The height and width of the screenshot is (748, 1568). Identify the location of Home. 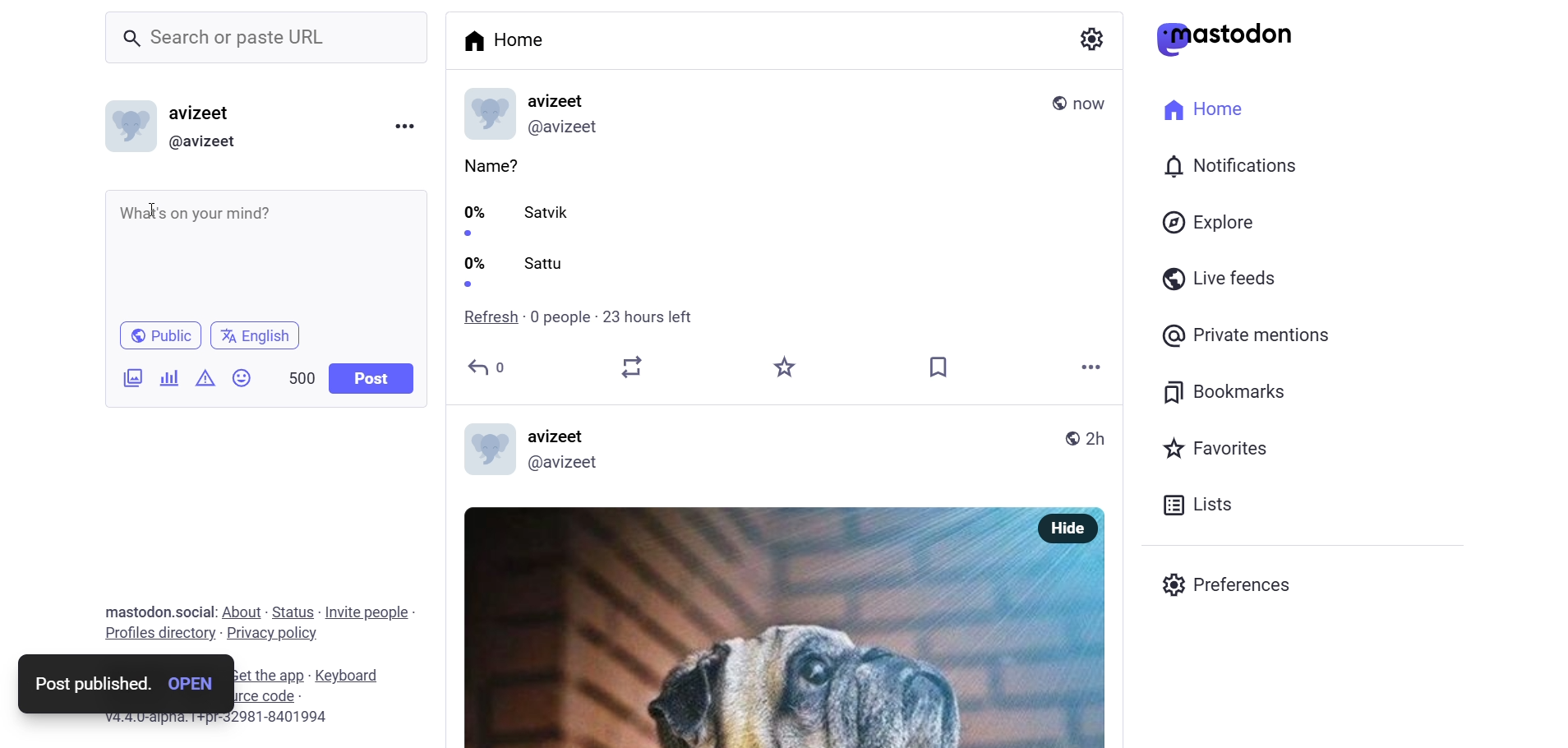
(511, 43).